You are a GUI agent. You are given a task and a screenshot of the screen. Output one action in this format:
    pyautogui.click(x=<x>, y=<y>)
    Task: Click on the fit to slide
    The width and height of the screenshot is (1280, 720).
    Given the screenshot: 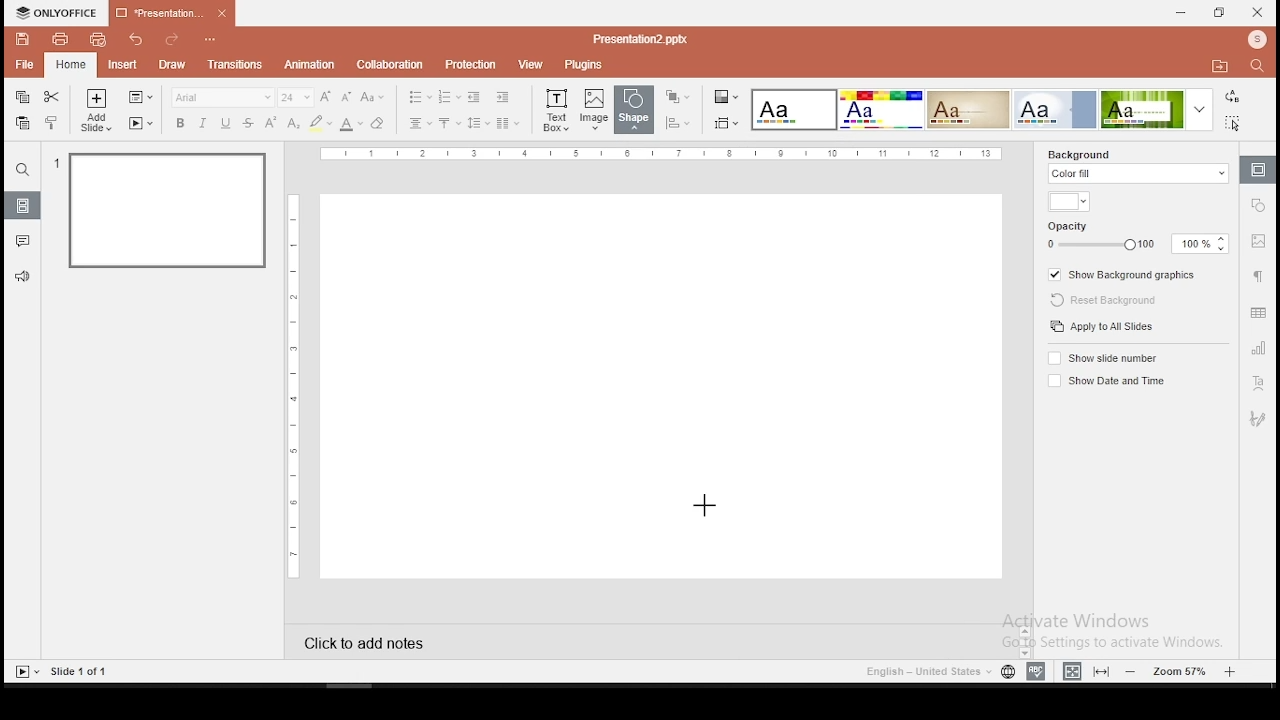 What is the action you would take?
    pyautogui.click(x=1101, y=671)
    